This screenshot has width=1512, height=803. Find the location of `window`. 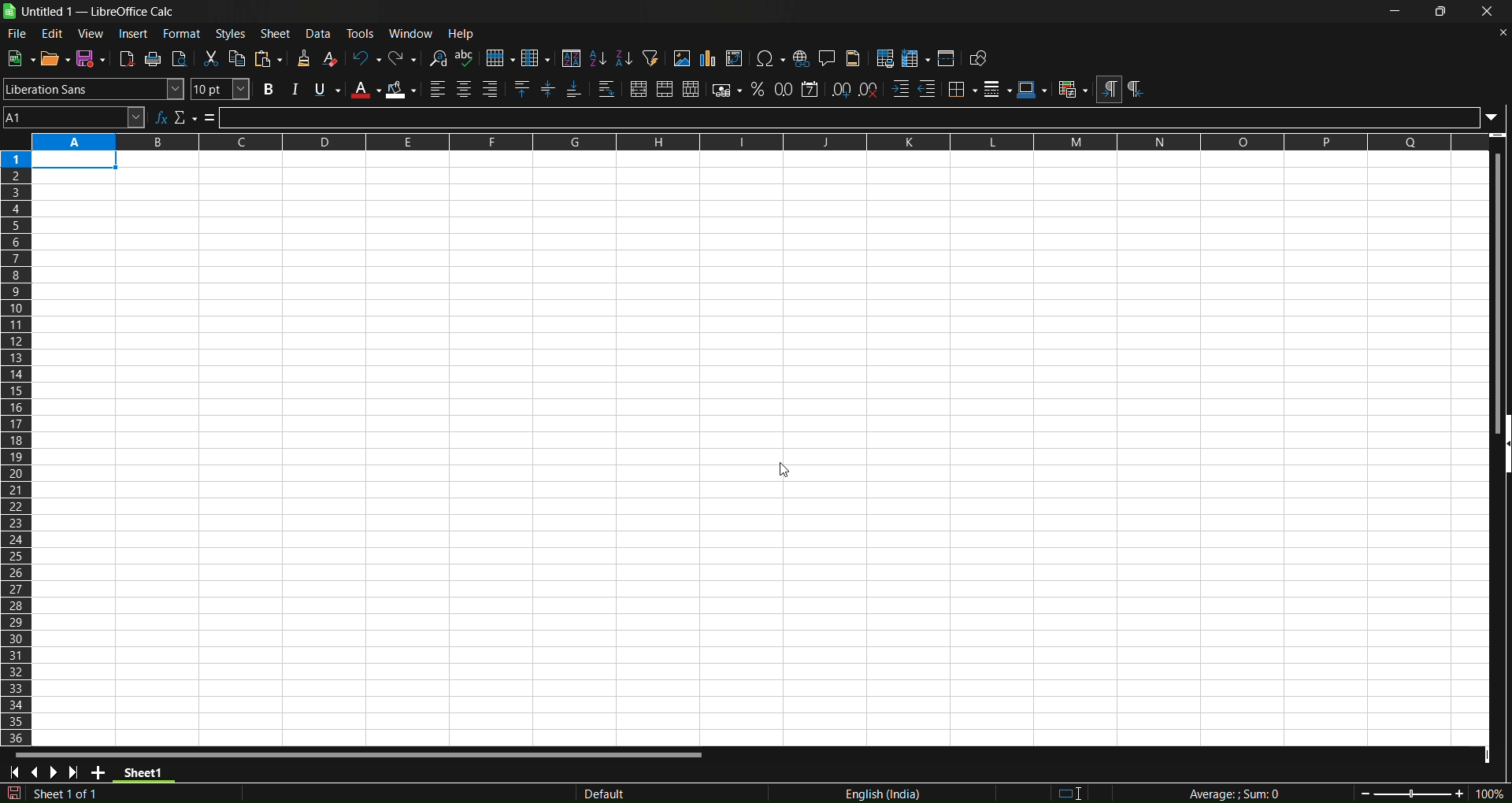

window is located at coordinates (414, 33).